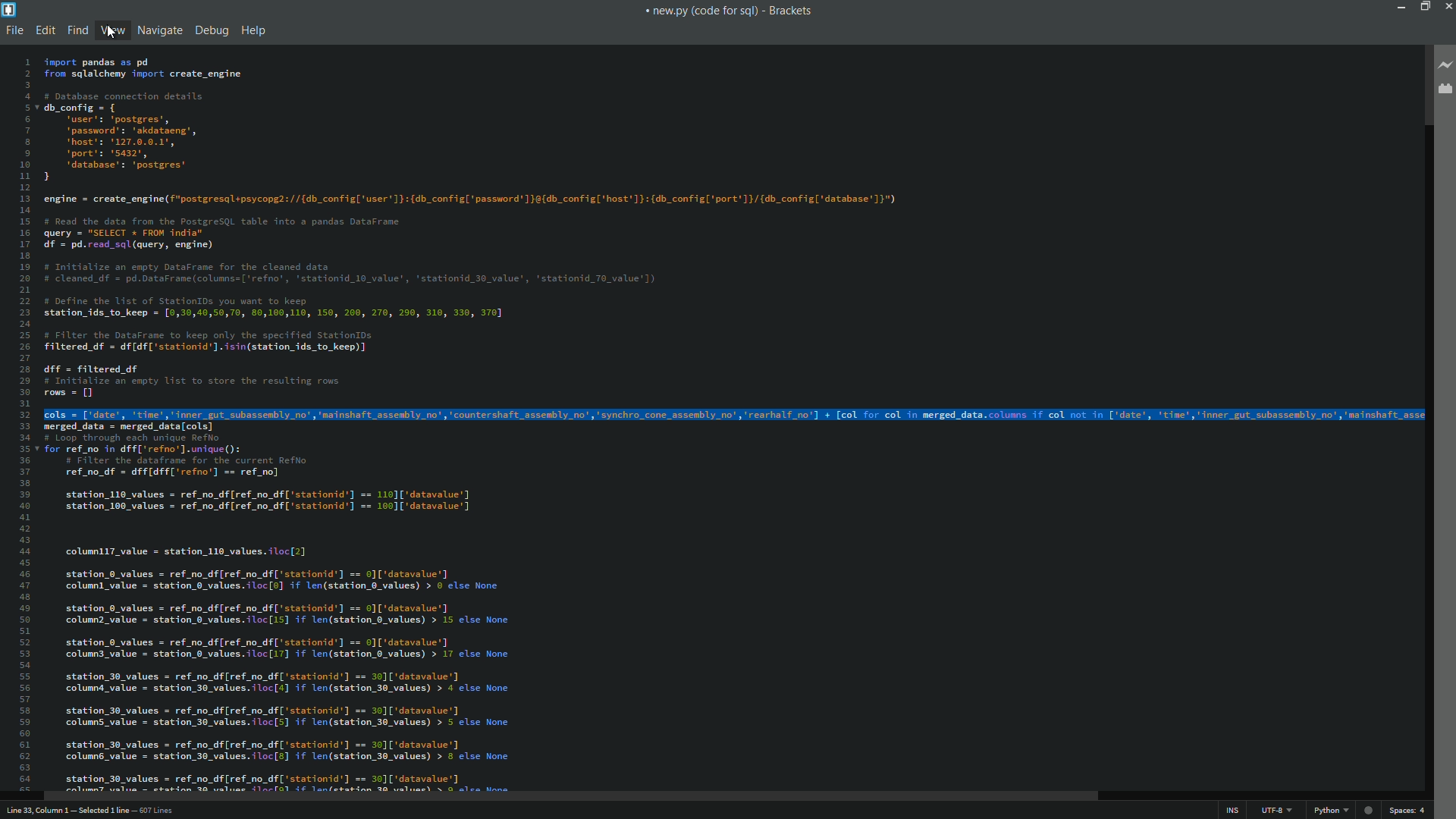 The image size is (1456, 819). I want to click on file menu, so click(15, 30).